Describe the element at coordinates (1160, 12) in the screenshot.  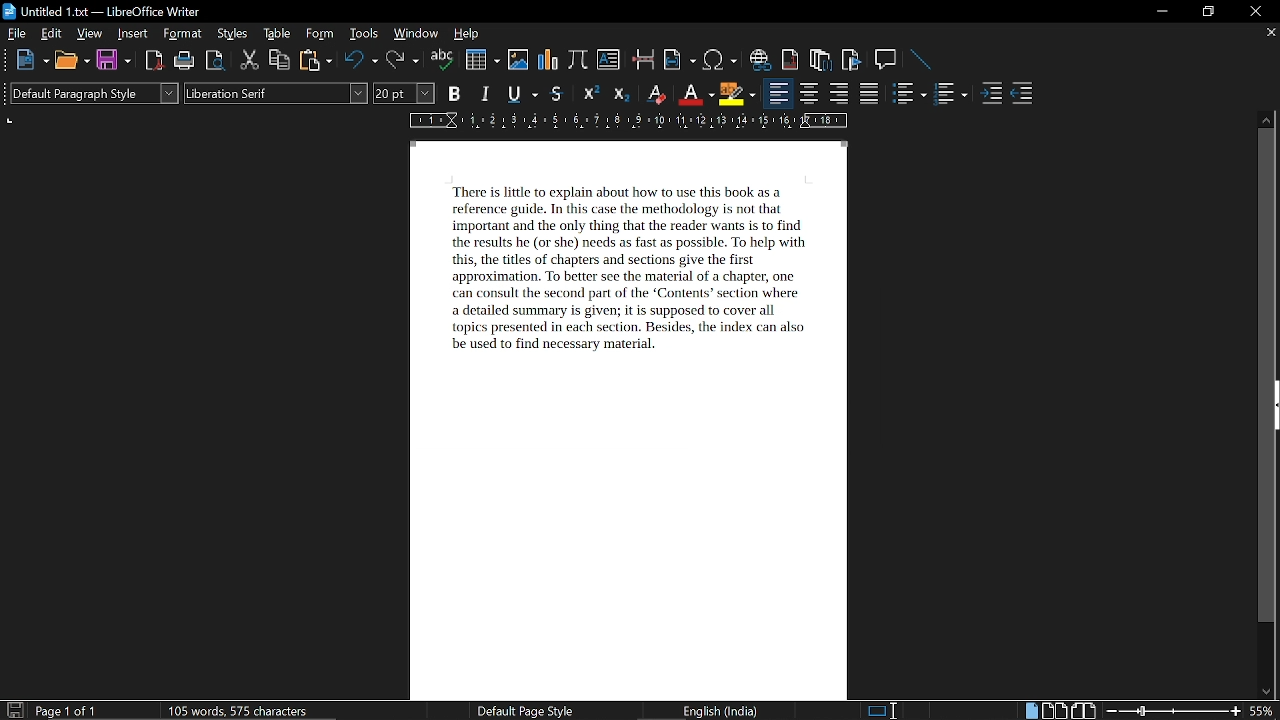
I see `minimize` at that location.